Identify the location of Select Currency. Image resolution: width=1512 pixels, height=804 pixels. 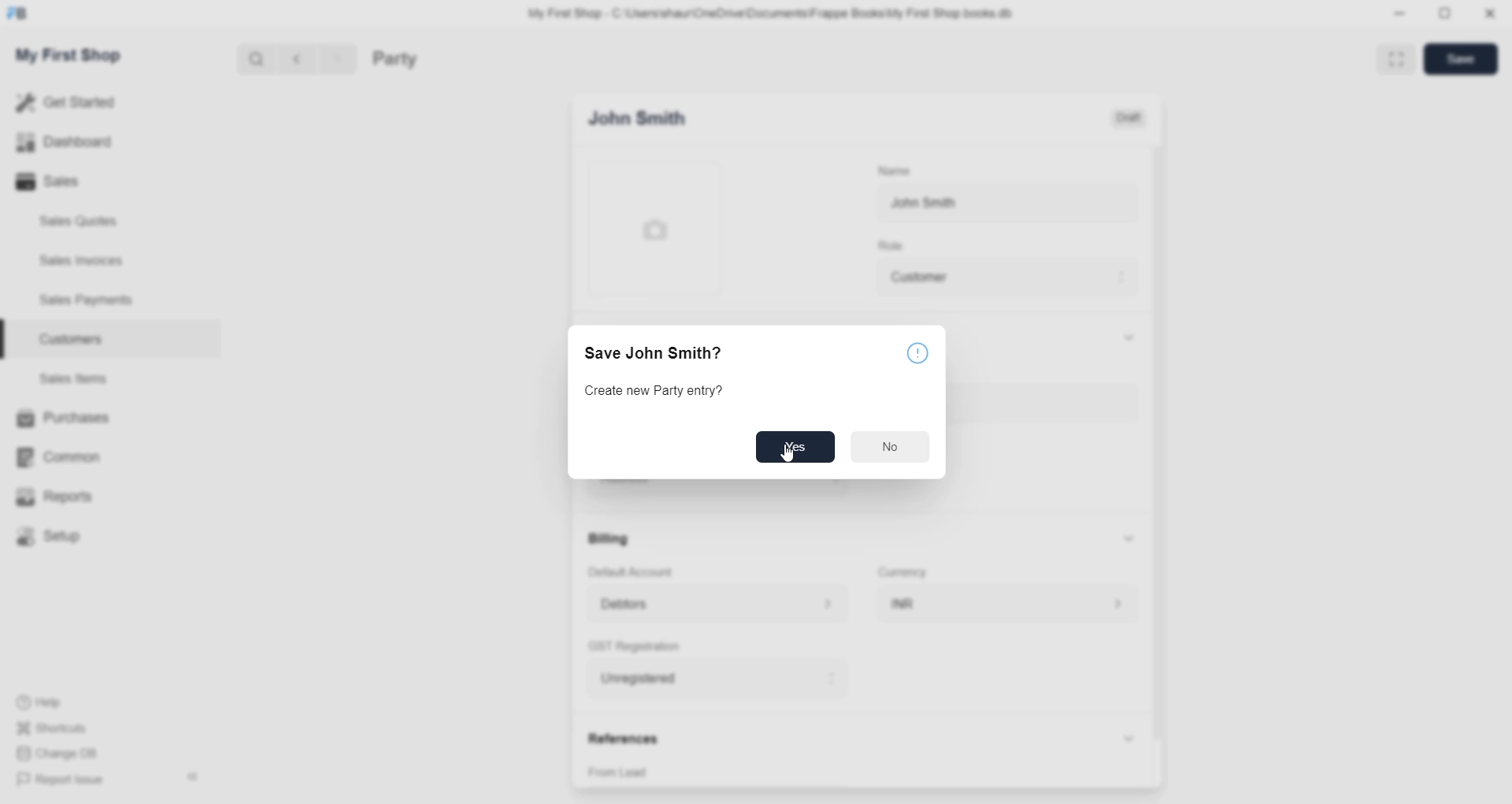
(986, 601).